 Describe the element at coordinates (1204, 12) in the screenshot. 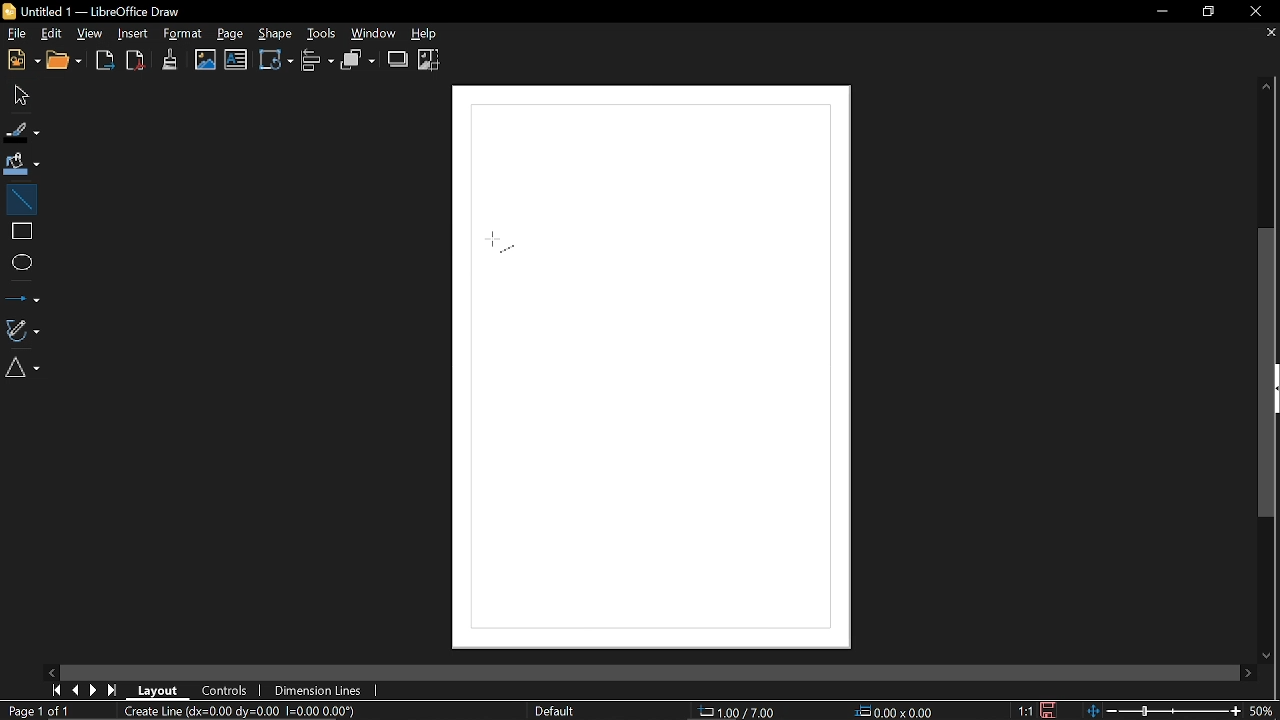

I see `Restore down` at that location.